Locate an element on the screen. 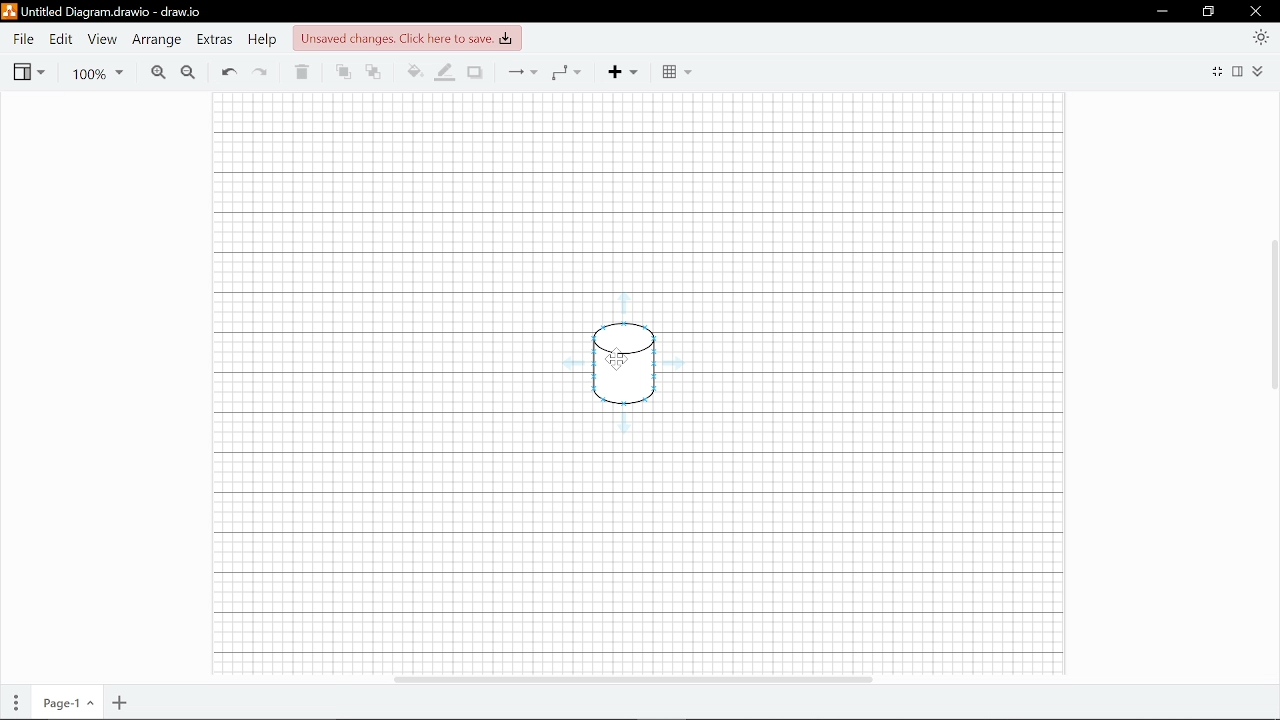 Image resolution: width=1280 pixels, height=720 pixels. Pages is located at coordinates (16, 701).